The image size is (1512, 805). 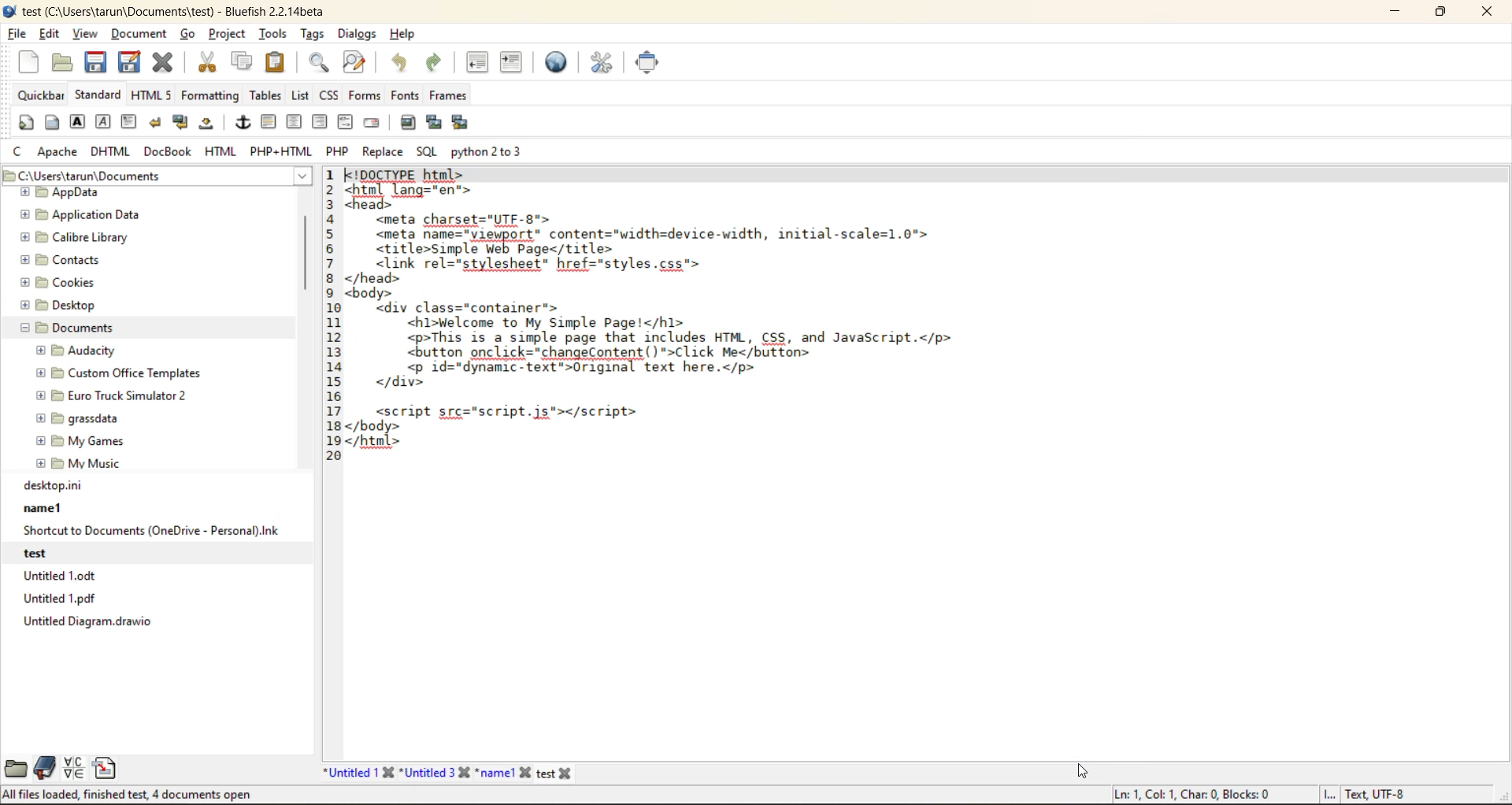 What do you see at coordinates (157, 485) in the screenshot?
I see `desktop.ini` at bounding box center [157, 485].